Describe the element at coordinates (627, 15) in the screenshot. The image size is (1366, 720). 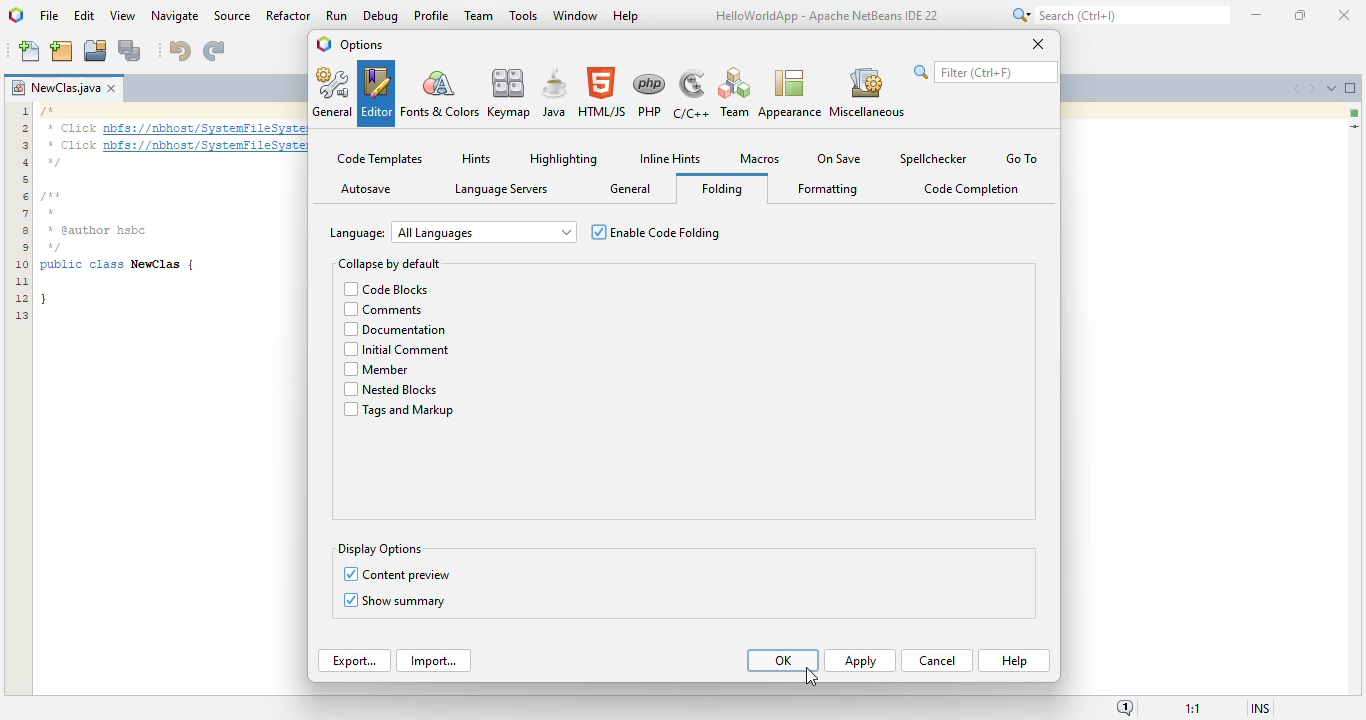
I see `help` at that location.